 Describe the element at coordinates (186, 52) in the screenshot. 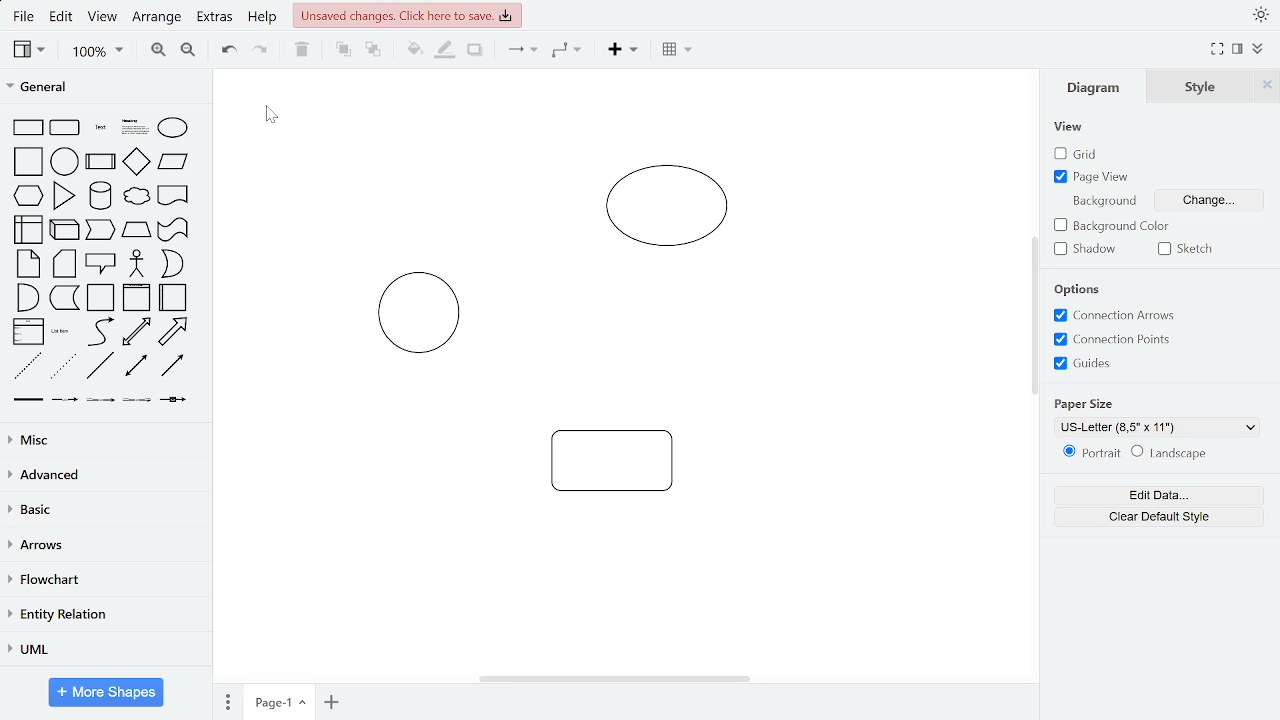

I see `zoom out` at that location.